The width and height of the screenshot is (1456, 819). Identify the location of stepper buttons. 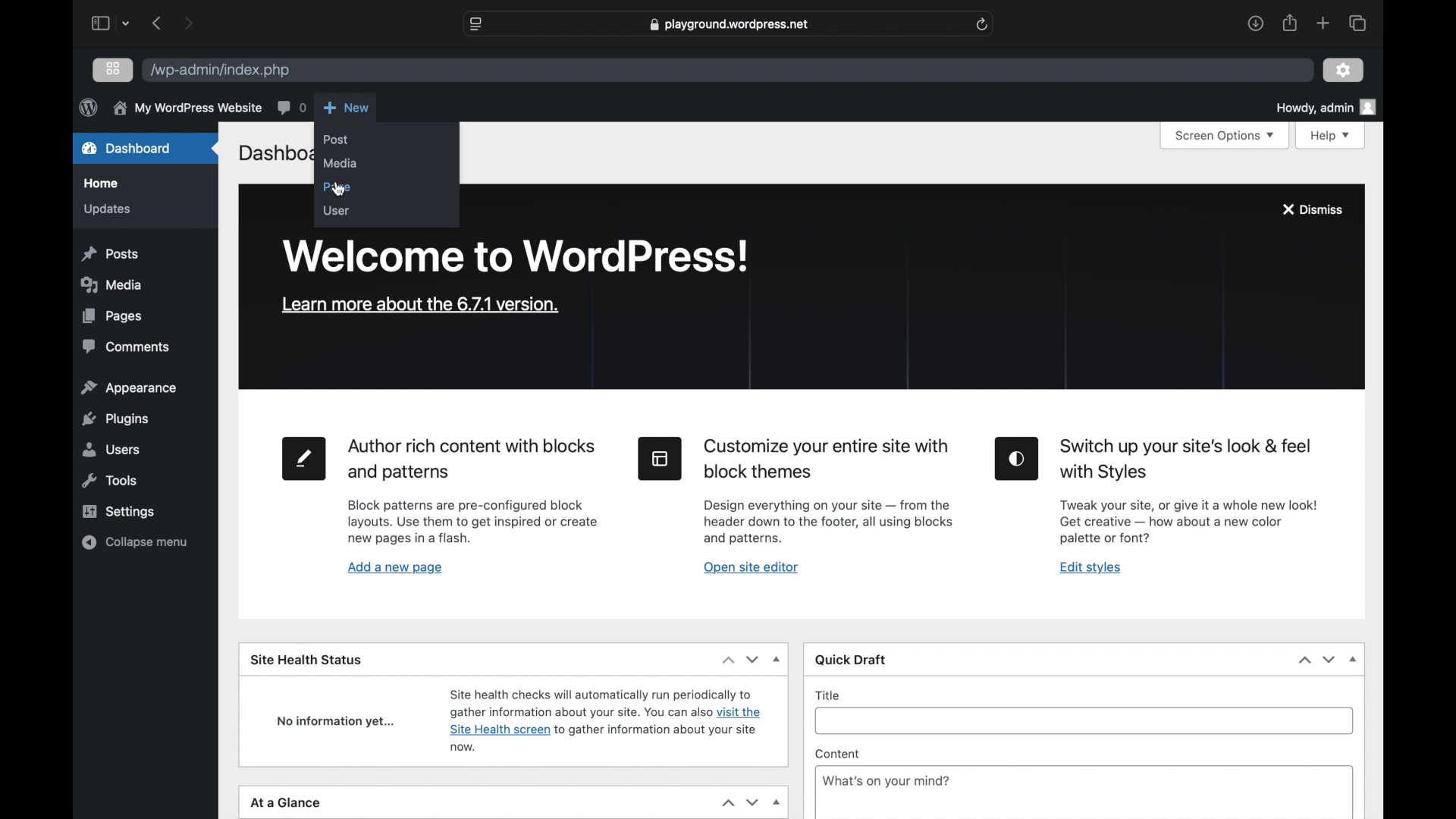
(1317, 660).